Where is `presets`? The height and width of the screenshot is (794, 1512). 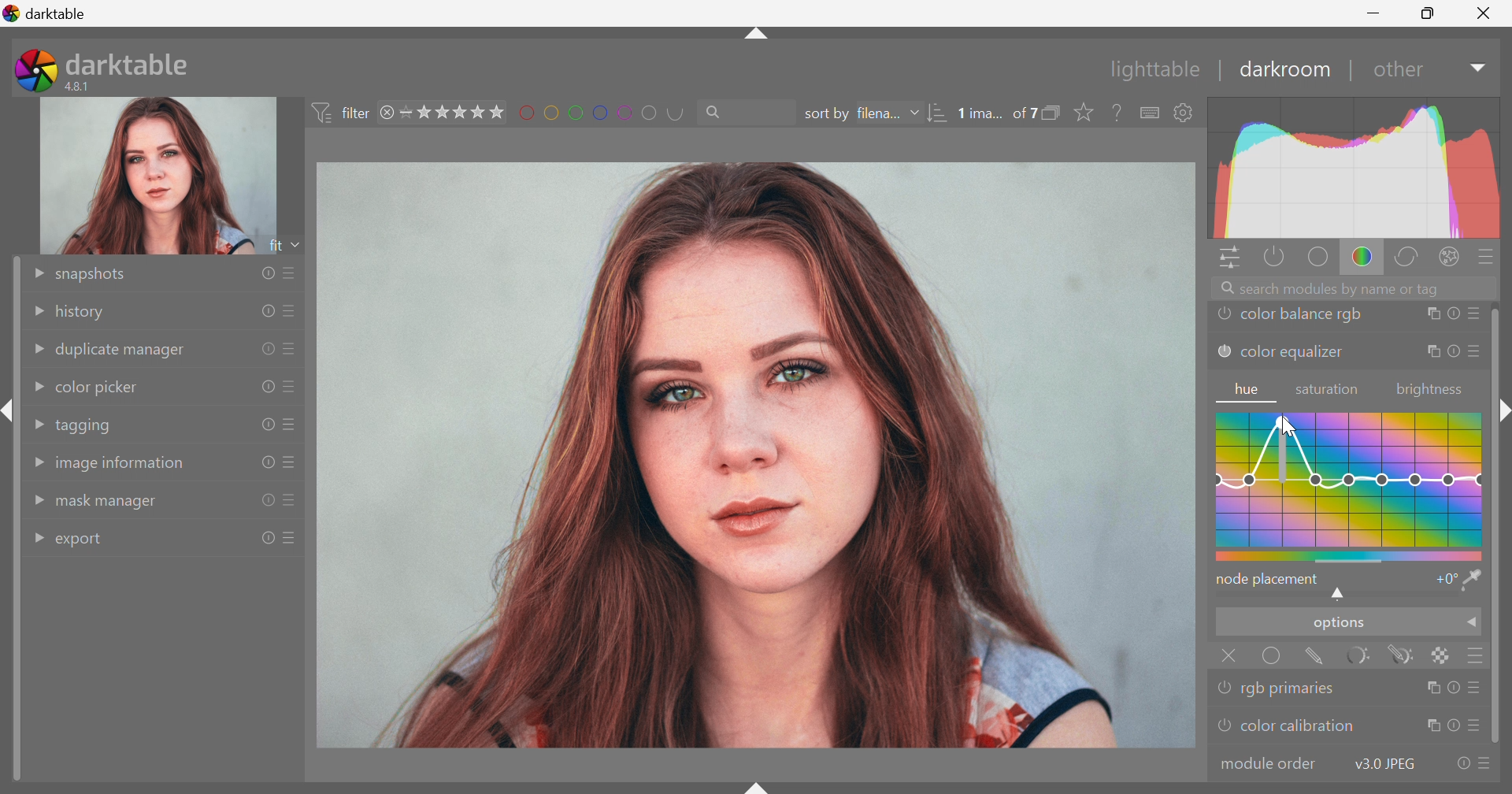
presets is located at coordinates (1478, 728).